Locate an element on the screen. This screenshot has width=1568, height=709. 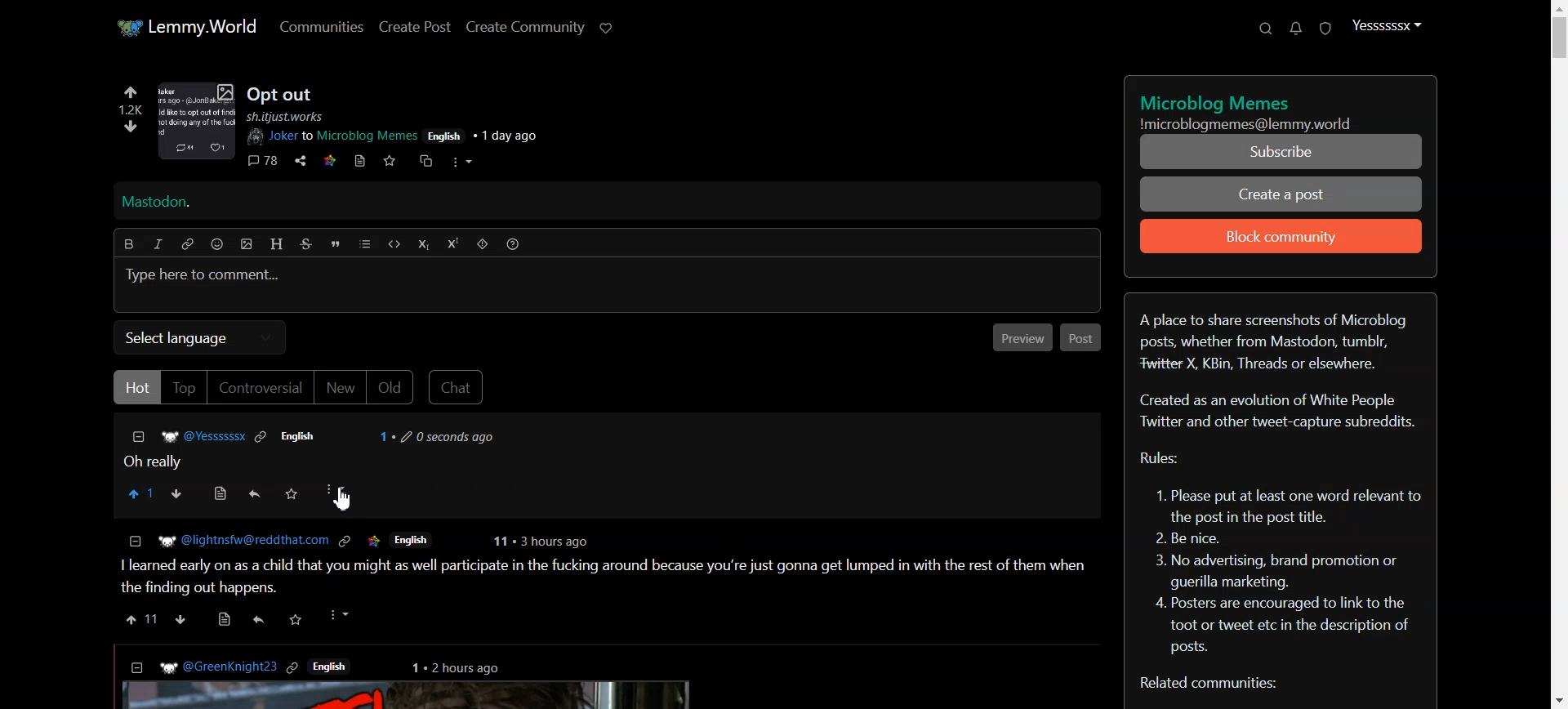
book mark is located at coordinates (359, 161).